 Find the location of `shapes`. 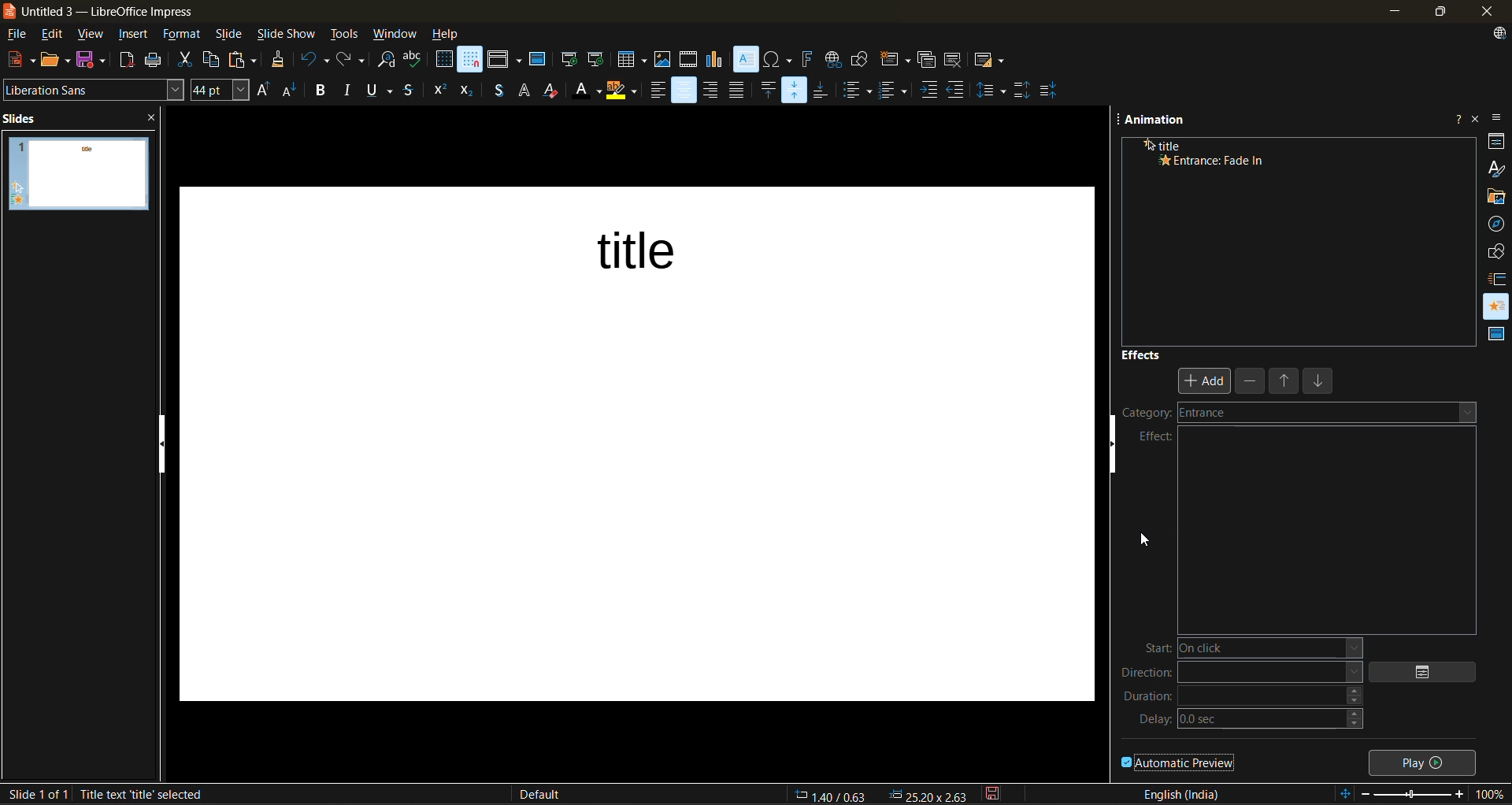

shapes is located at coordinates (1498, 251).